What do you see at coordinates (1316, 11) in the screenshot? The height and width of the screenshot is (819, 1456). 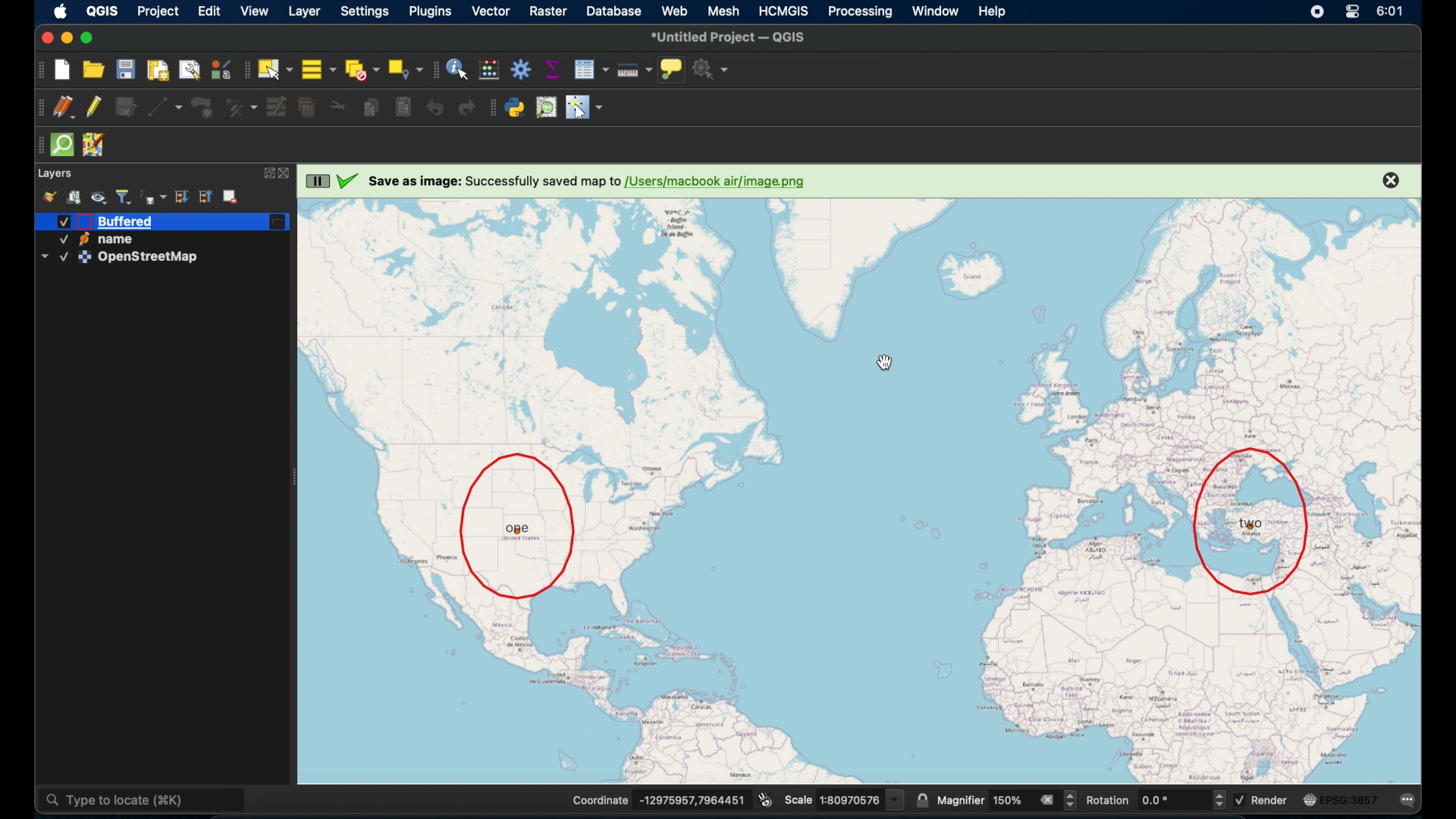 I see `control center` at bounding box center [1316, 11].